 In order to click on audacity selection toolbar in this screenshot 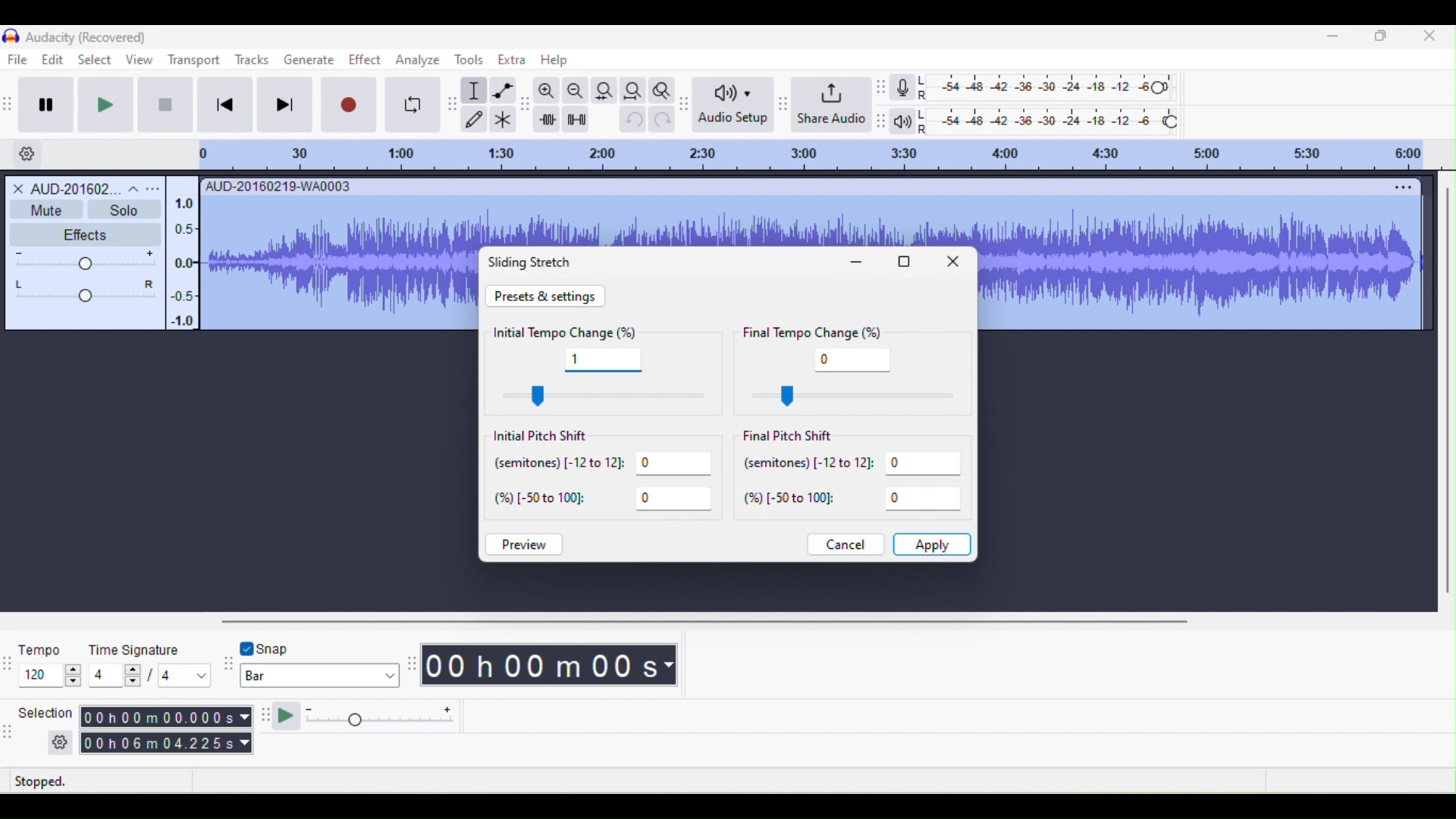, I will do `click(9, 730)`.